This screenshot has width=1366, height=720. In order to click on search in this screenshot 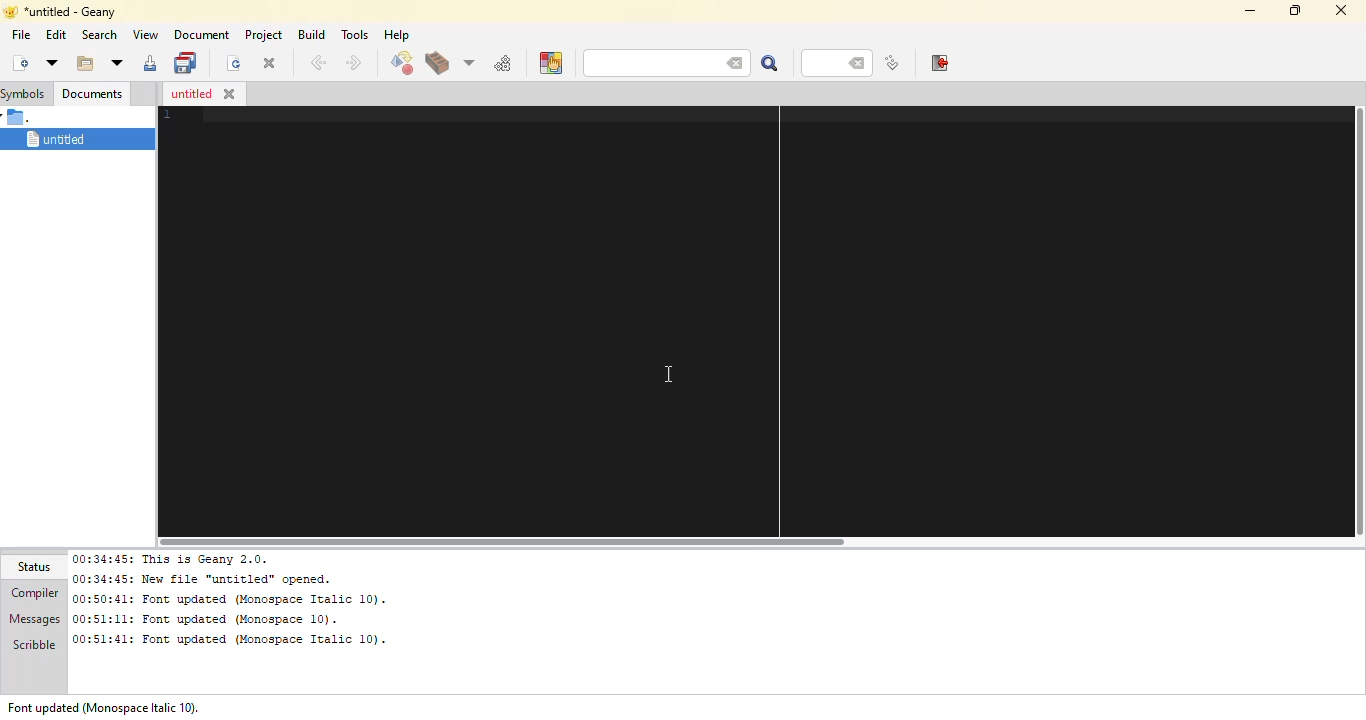, I will do `click(768, 63)`.